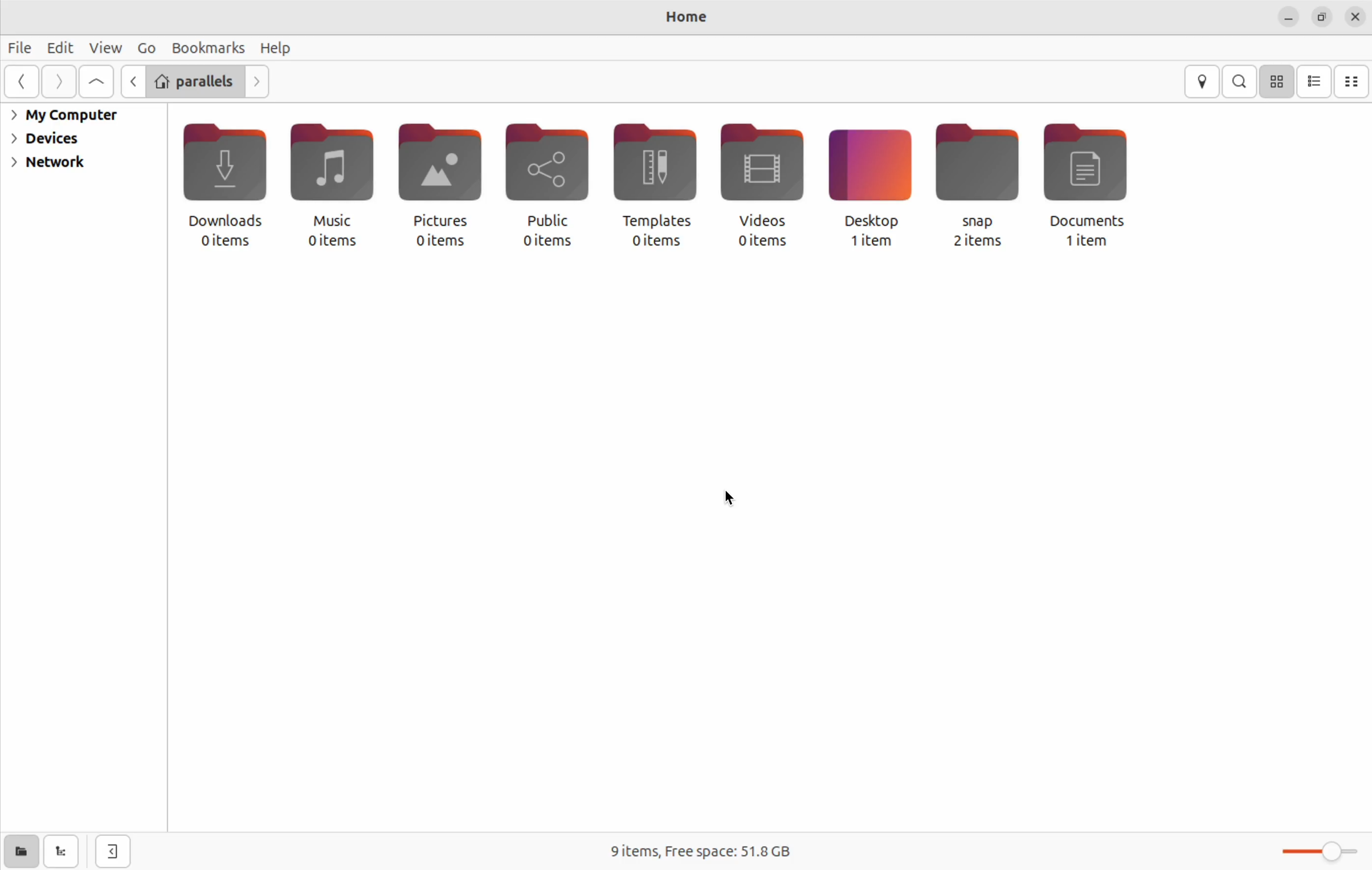  What do you see at coordinates (1093, 183) in the screenshot?
I see `Documents 1 item` at bounding box center [1093, 183].